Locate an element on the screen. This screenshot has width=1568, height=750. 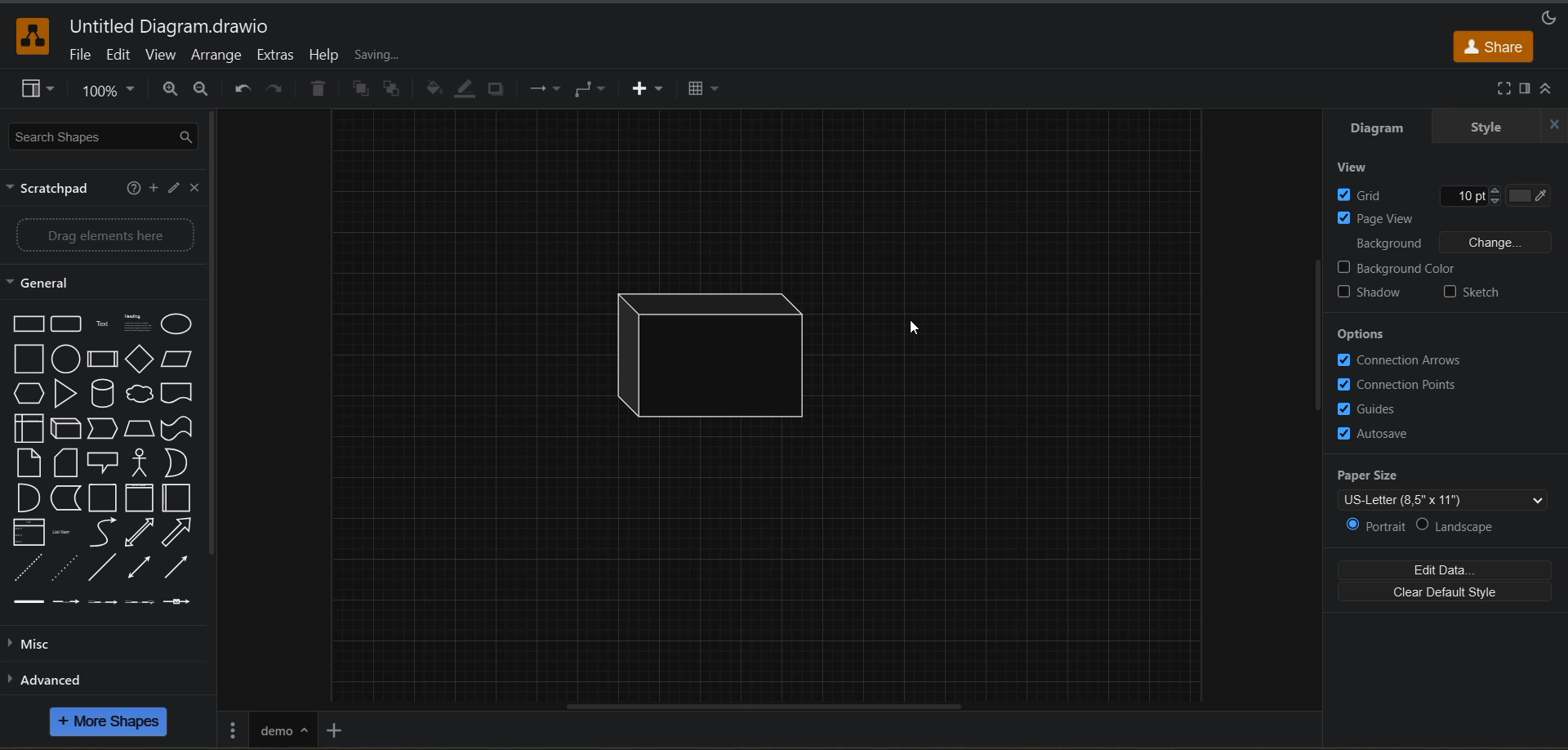
collapse/expand is located at coordinates (1548, 88).